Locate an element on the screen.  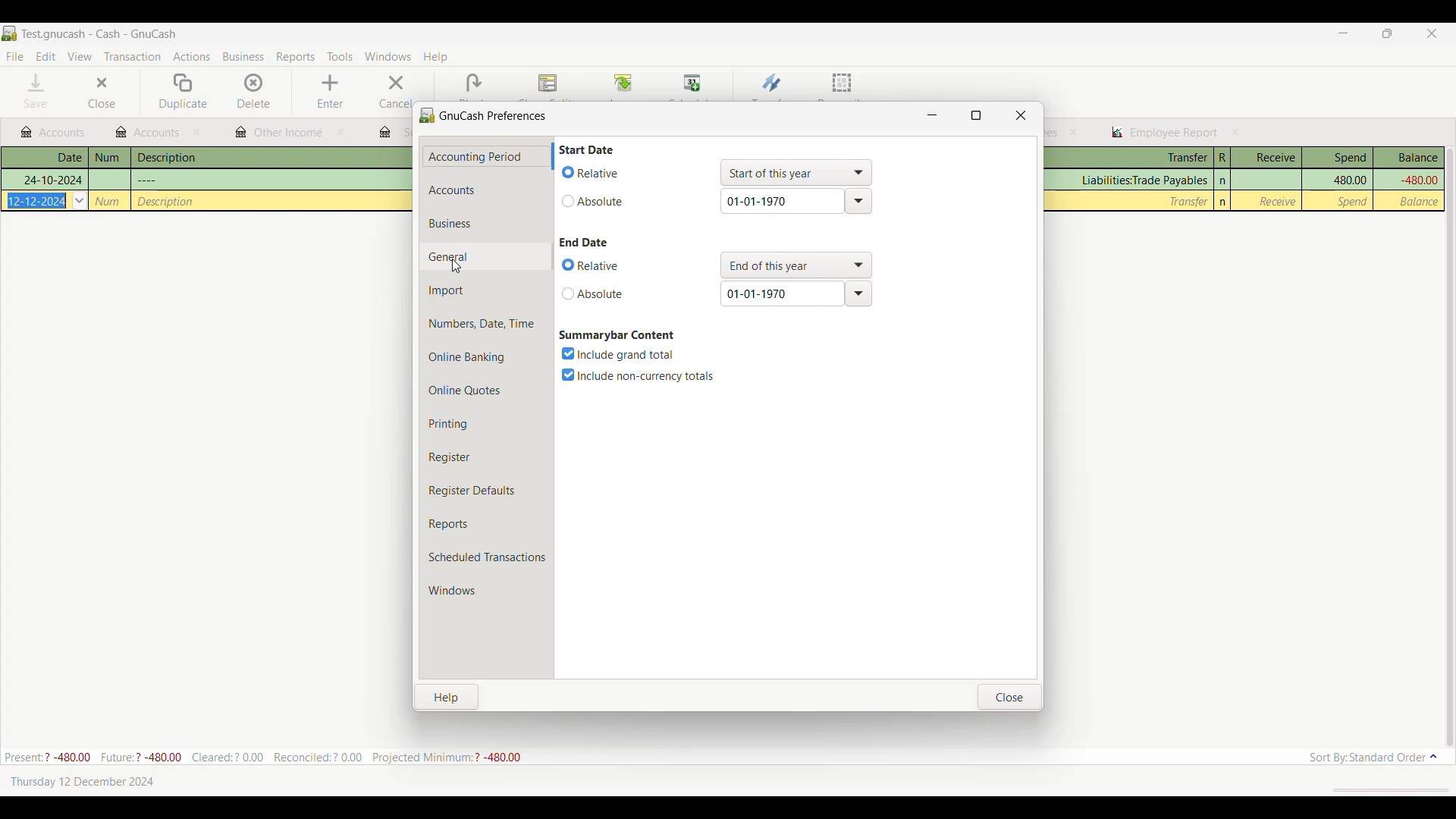
Close is located at coordinates (1010, 697).